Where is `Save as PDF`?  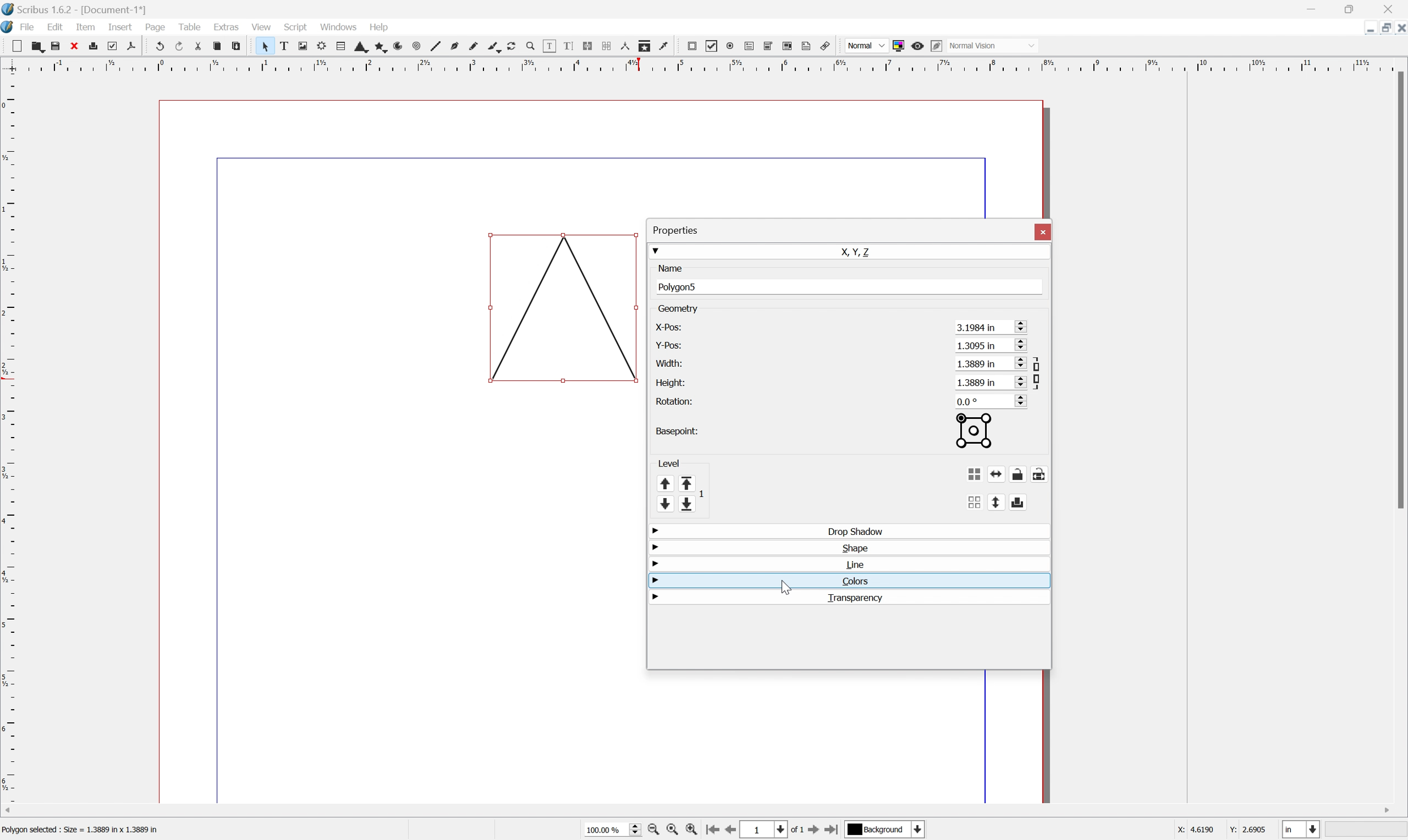 Save as PDF is located at coordinates (131, 48).